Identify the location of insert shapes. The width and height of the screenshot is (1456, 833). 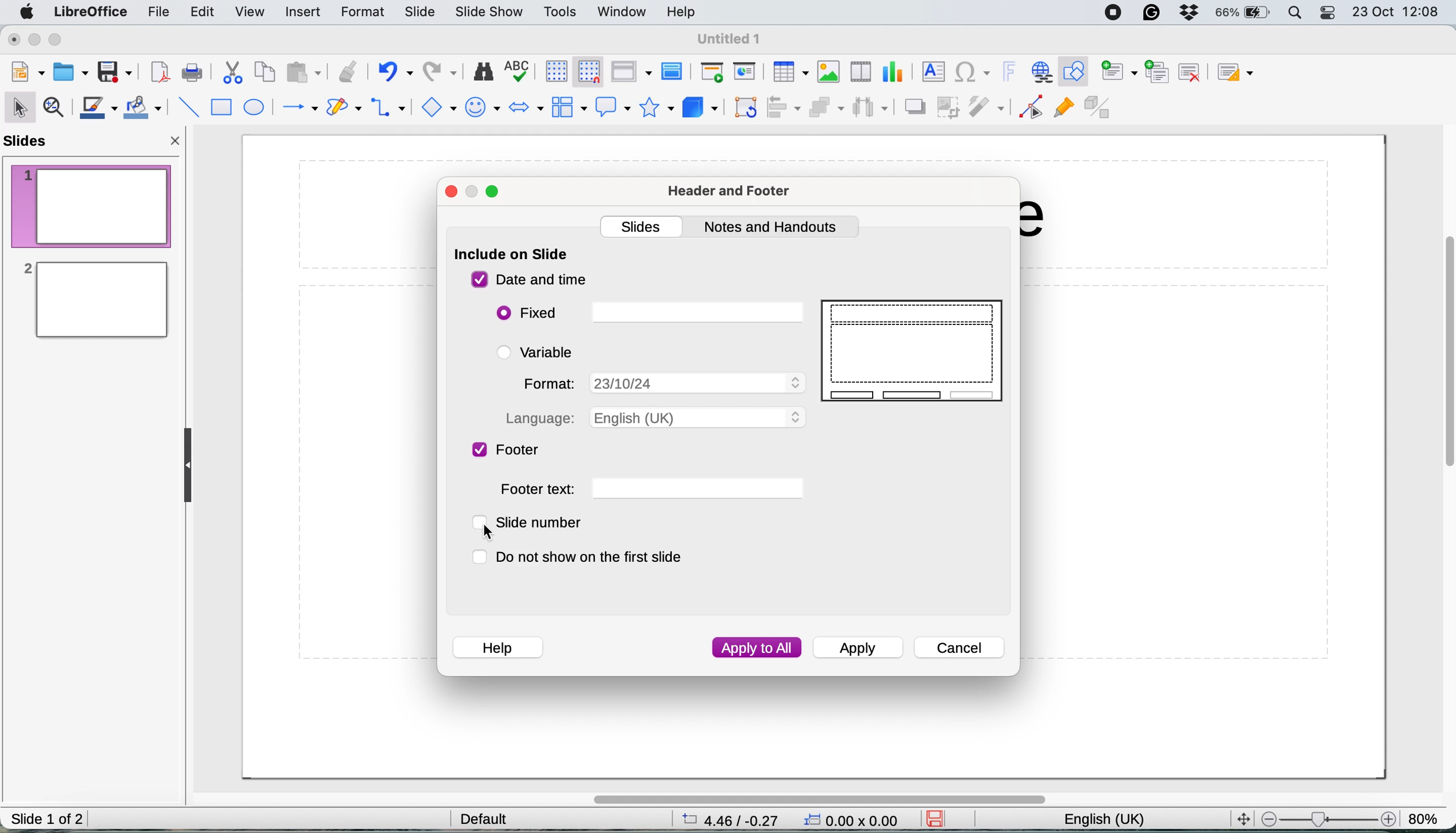
(436, 106).